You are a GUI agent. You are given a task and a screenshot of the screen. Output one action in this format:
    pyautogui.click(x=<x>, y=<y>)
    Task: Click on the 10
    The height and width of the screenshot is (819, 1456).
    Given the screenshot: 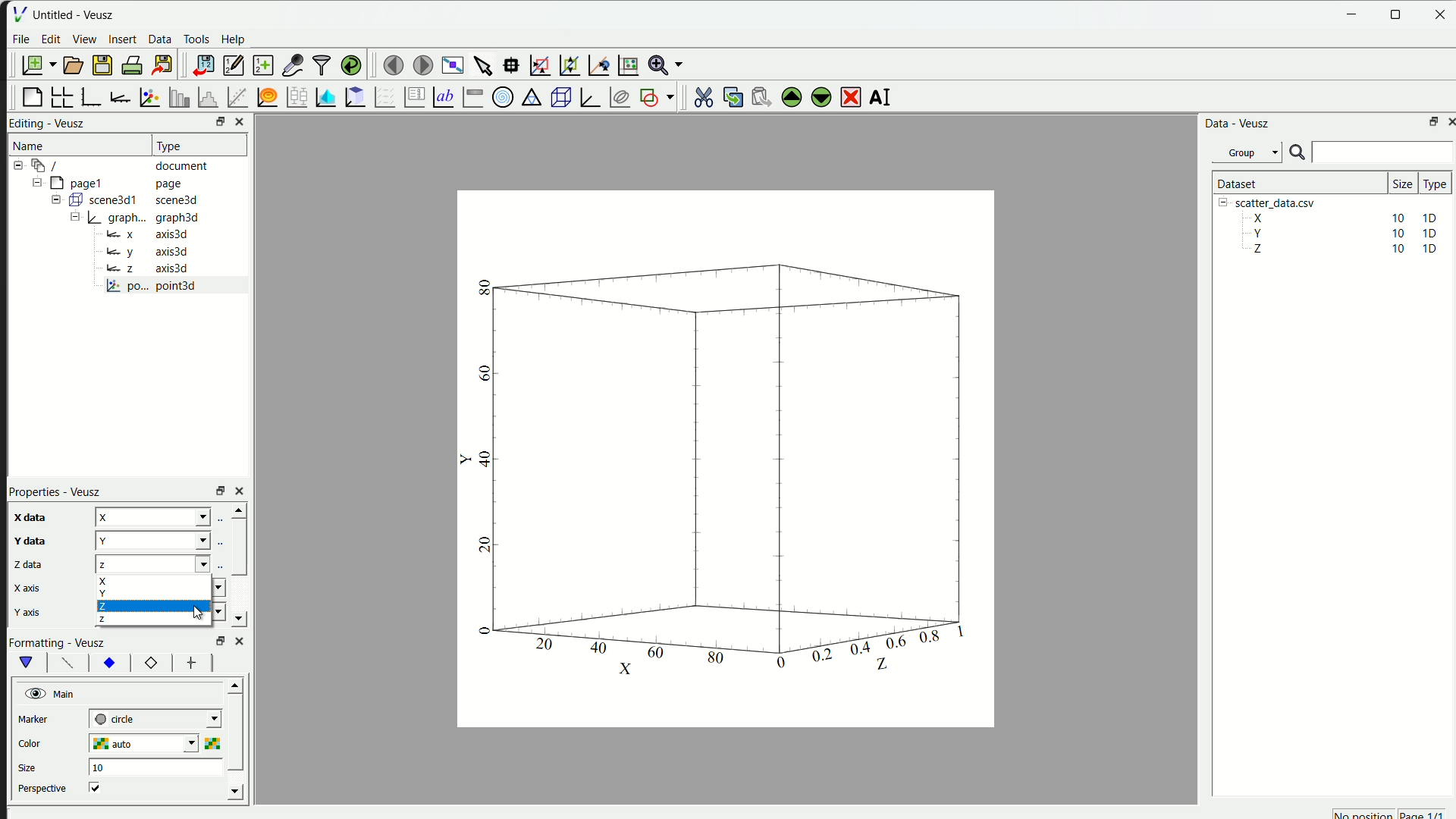 What is the action you would take?
    pyautogui.click(x=97, y=767)
    